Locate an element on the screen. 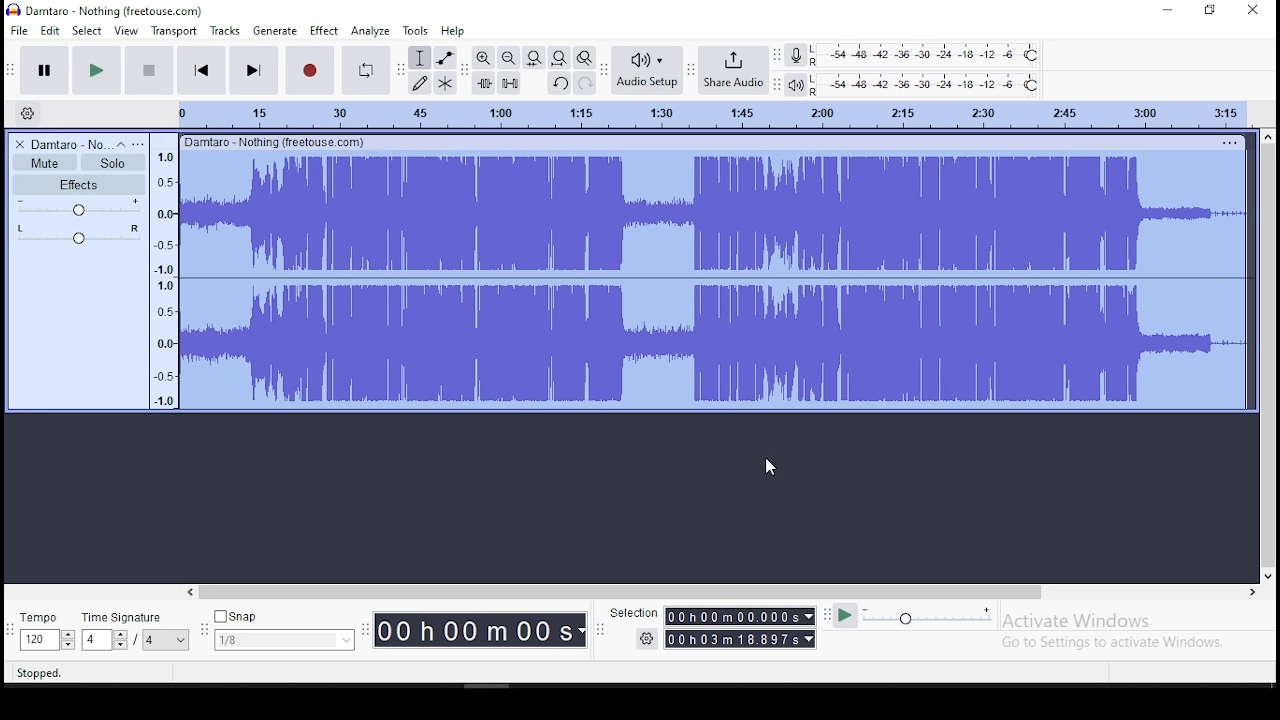 The image size is (1280, 720). select is located at coordinates (87, 30).